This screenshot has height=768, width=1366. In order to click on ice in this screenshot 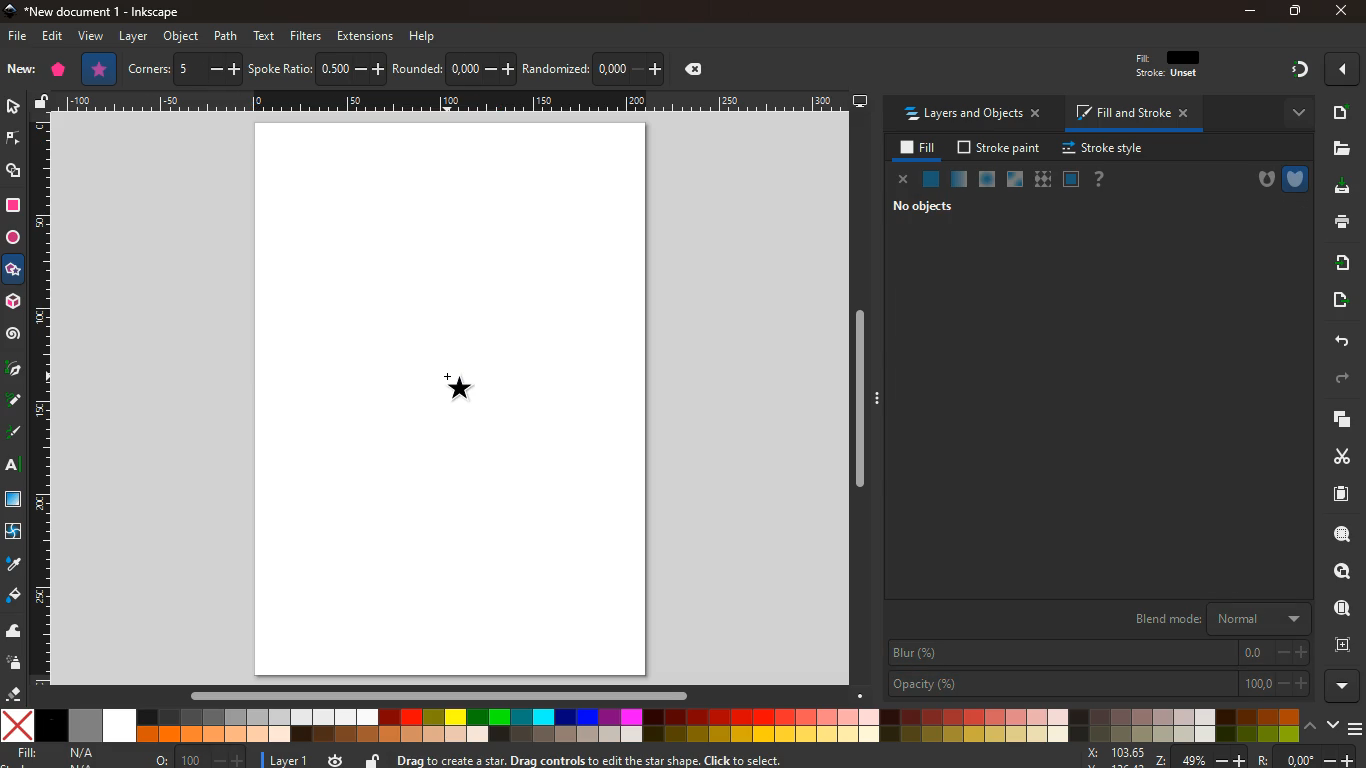, I will do `click(989, 180)`.